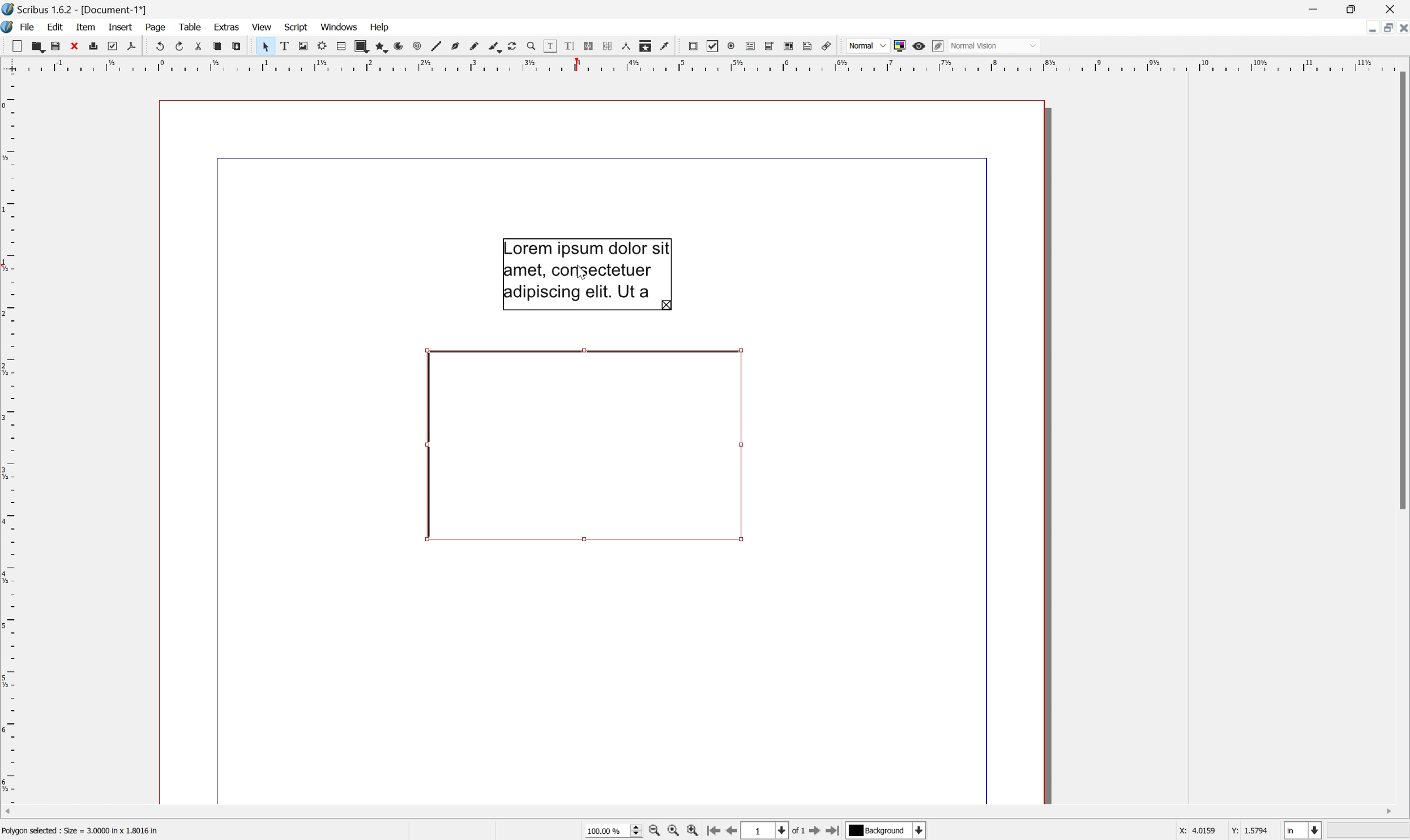 This screenshot has height=840, width=1410. I want to click on PDF Checkbox, so click(713, 46).